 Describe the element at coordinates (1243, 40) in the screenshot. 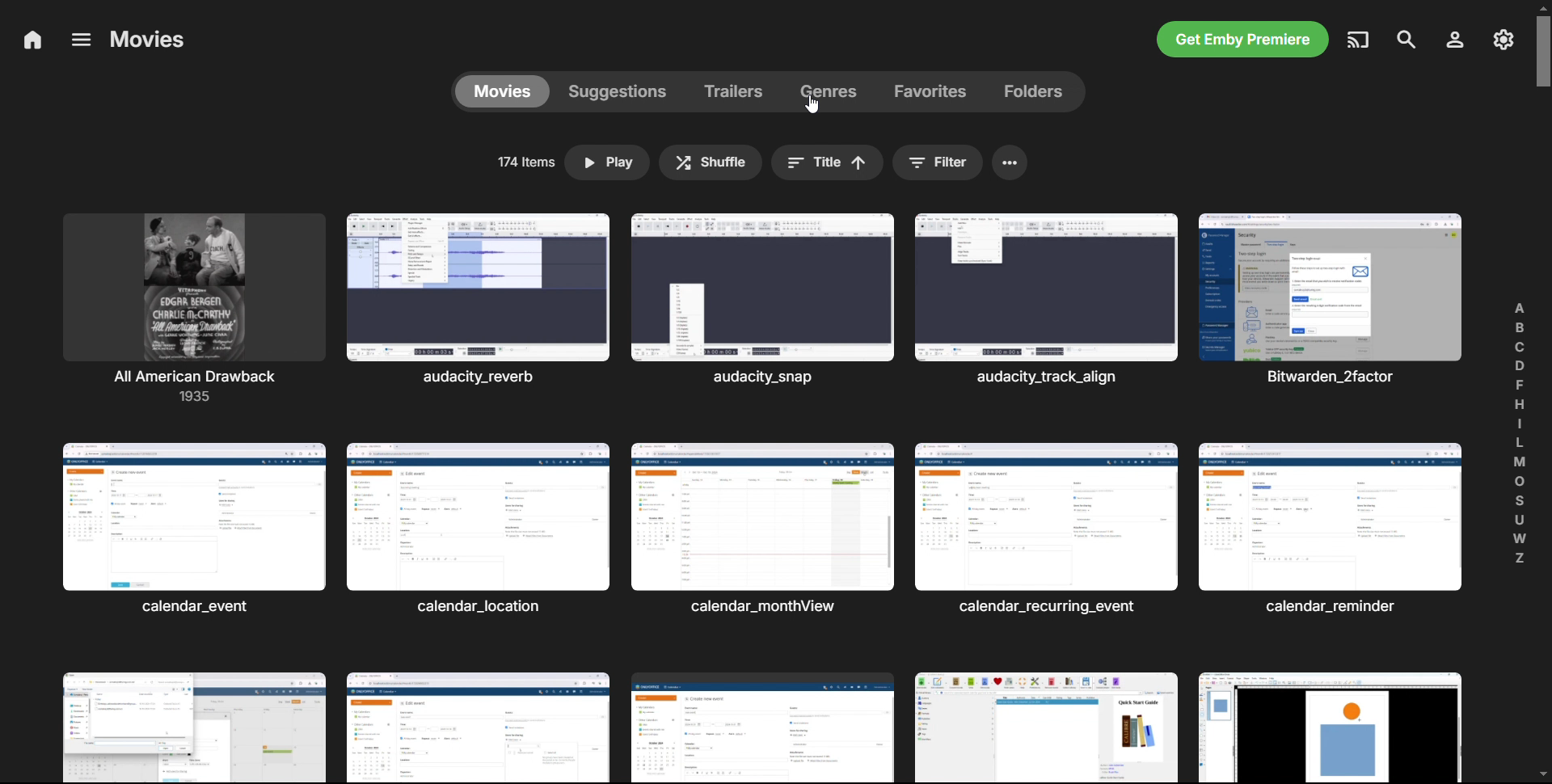

I see `get emby premiere` at that location.